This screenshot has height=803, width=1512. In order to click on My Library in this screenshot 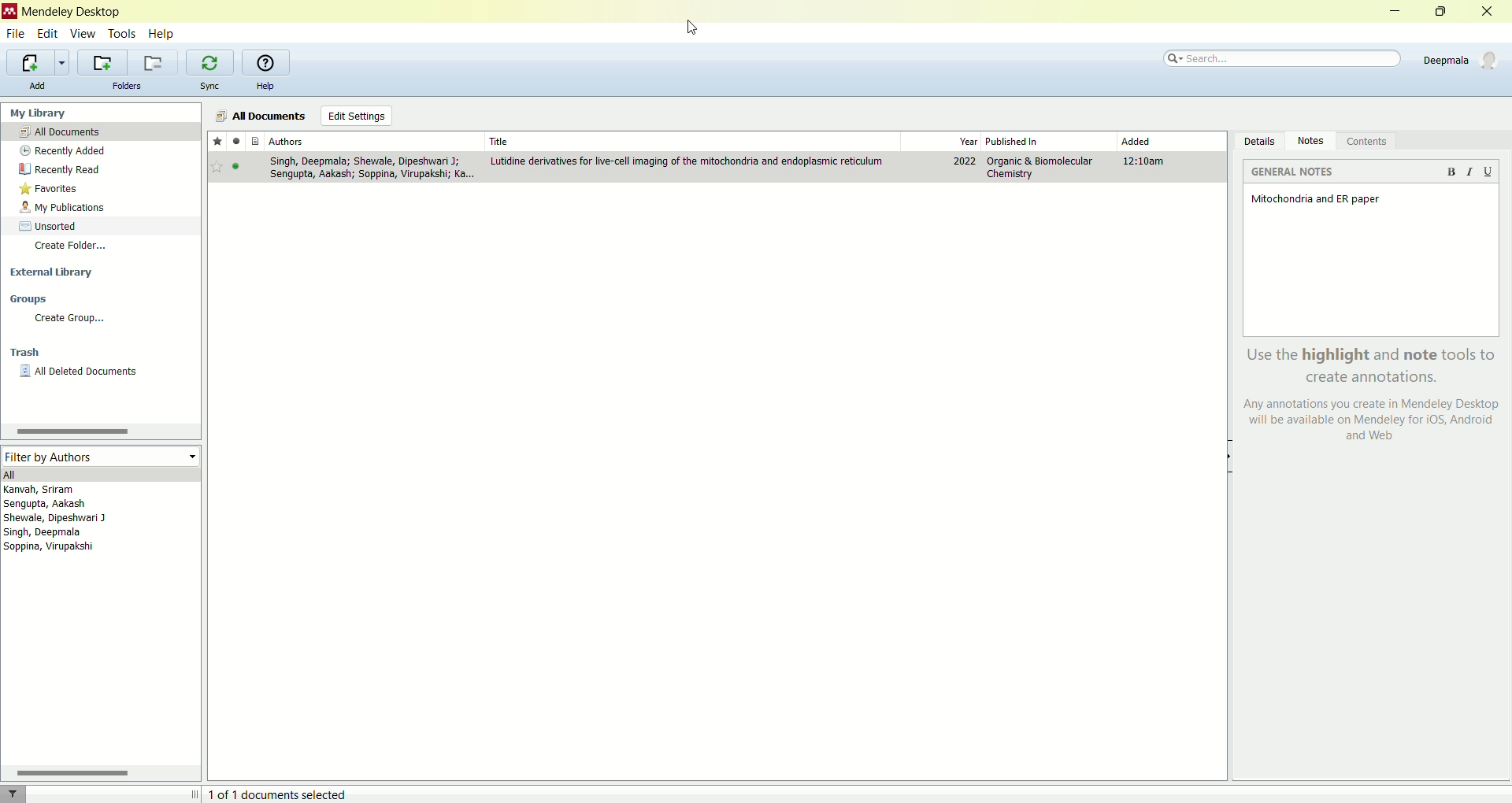, I will do `click(102, 112)`.